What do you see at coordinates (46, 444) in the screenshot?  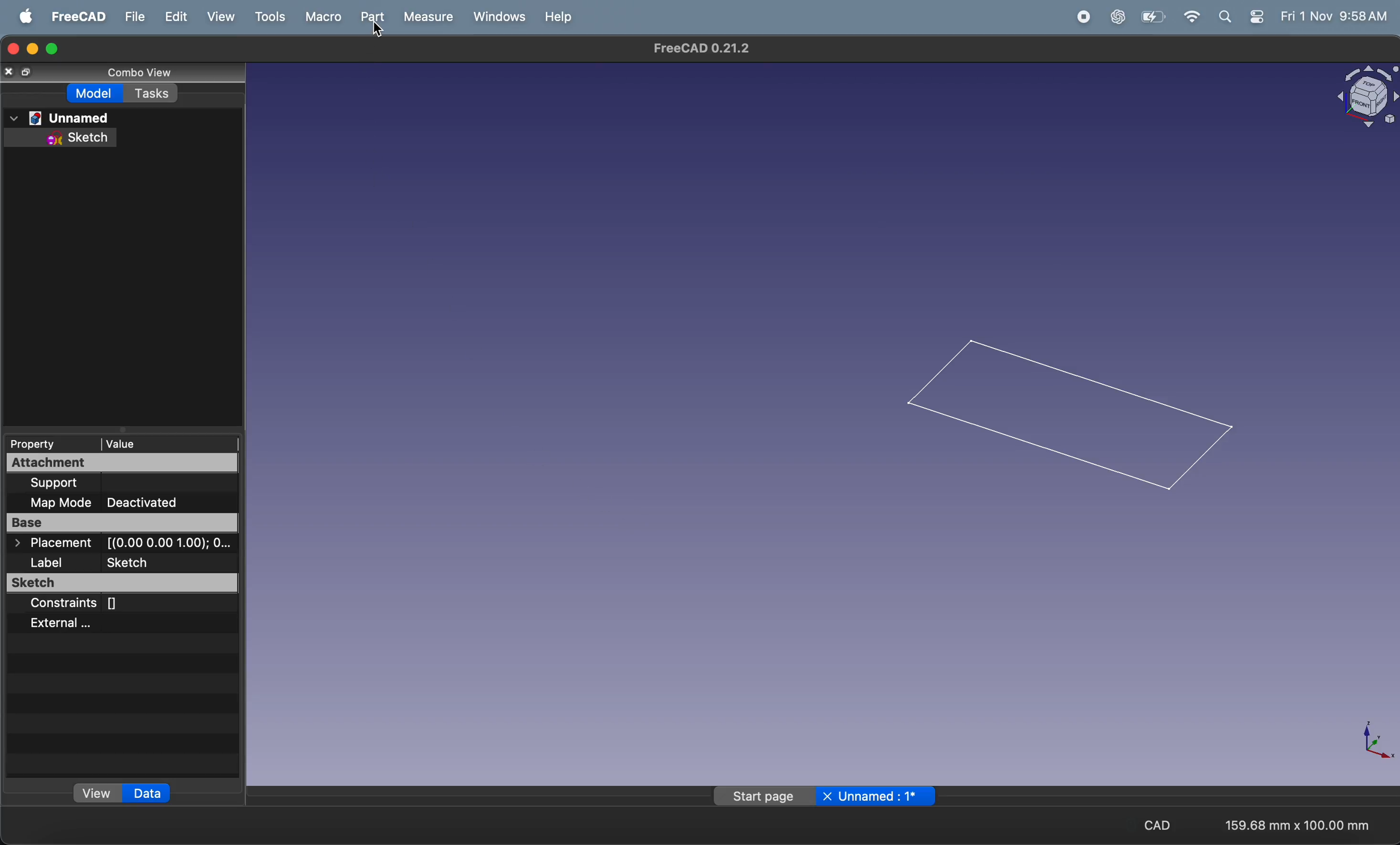 I see `property` at bounding box center [46, 444].